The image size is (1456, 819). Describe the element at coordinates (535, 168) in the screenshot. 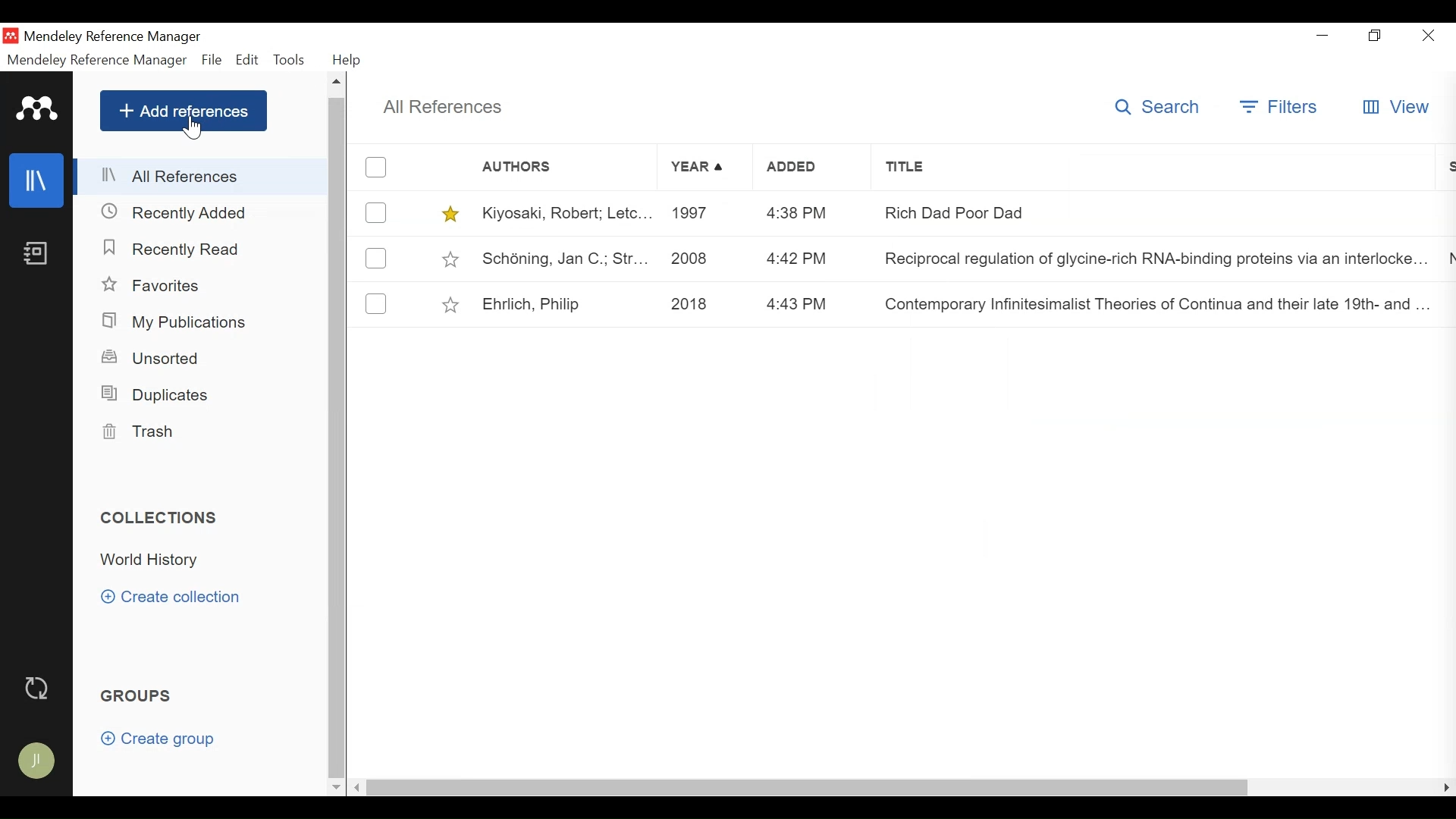

I see `Authors` at that location.